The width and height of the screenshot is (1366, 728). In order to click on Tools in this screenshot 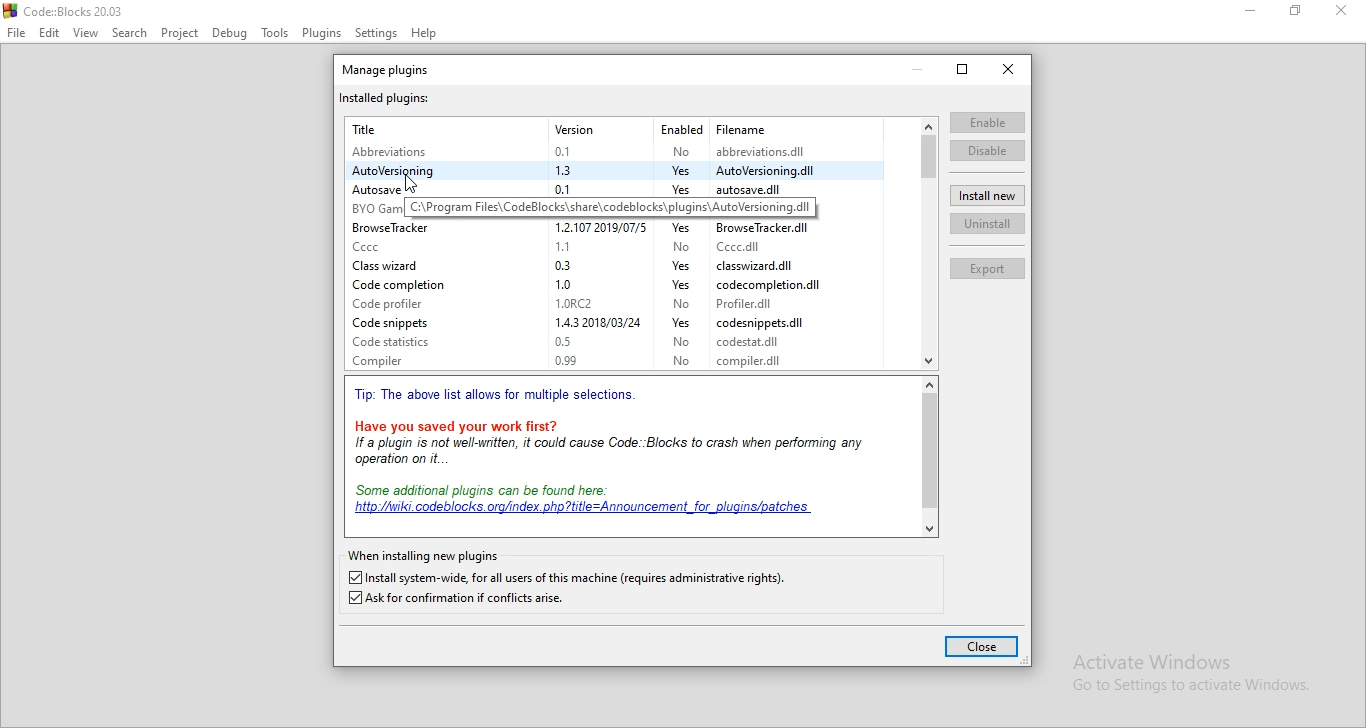, I will do `click(275, 34)`.